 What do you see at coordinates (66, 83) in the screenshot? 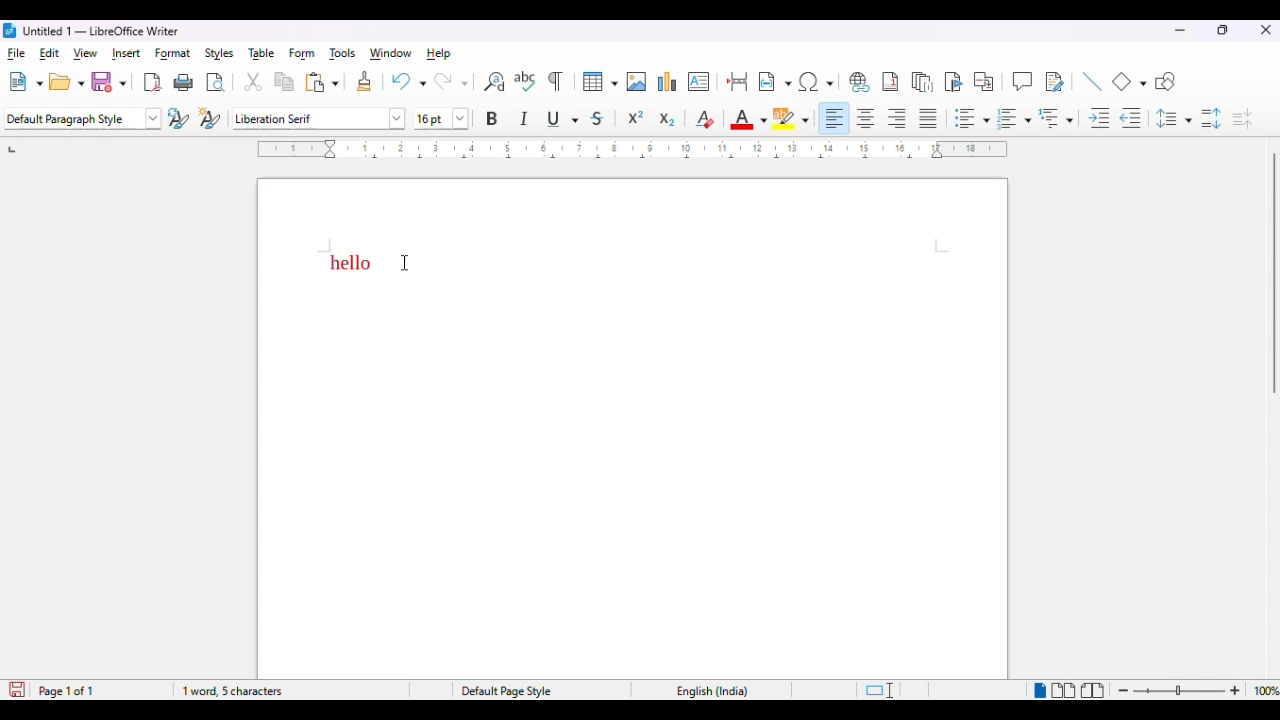
I see `open` at bounding box center [66, 83].